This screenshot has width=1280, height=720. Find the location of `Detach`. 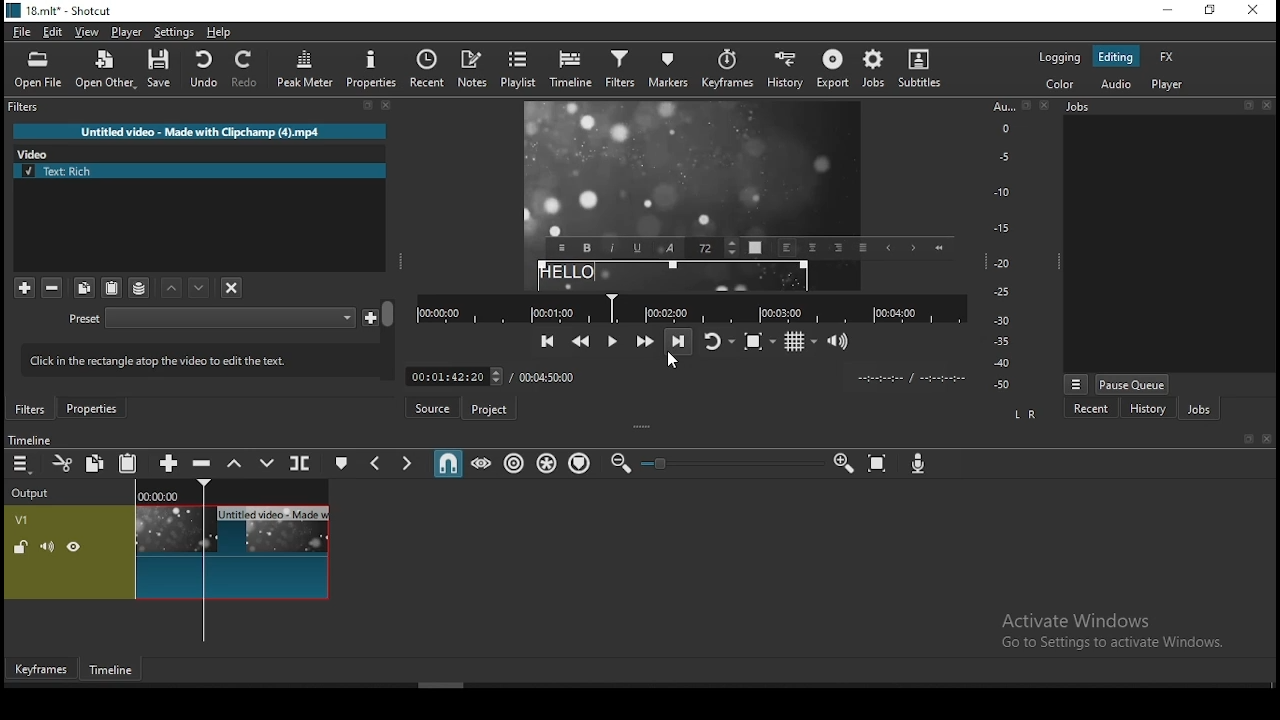

Detach is located at coordinates (1250, 439).